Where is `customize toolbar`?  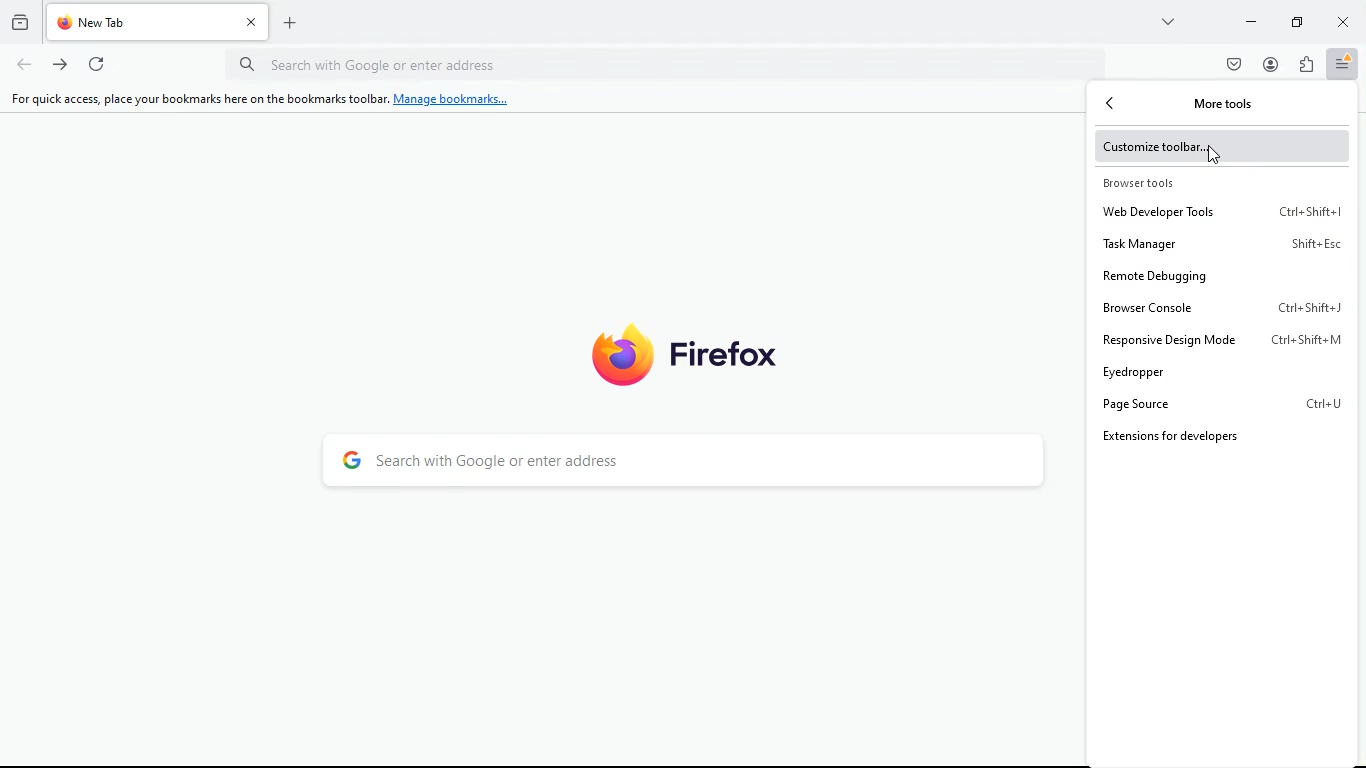
customize toolbar is located at coordinates (1217, 148).